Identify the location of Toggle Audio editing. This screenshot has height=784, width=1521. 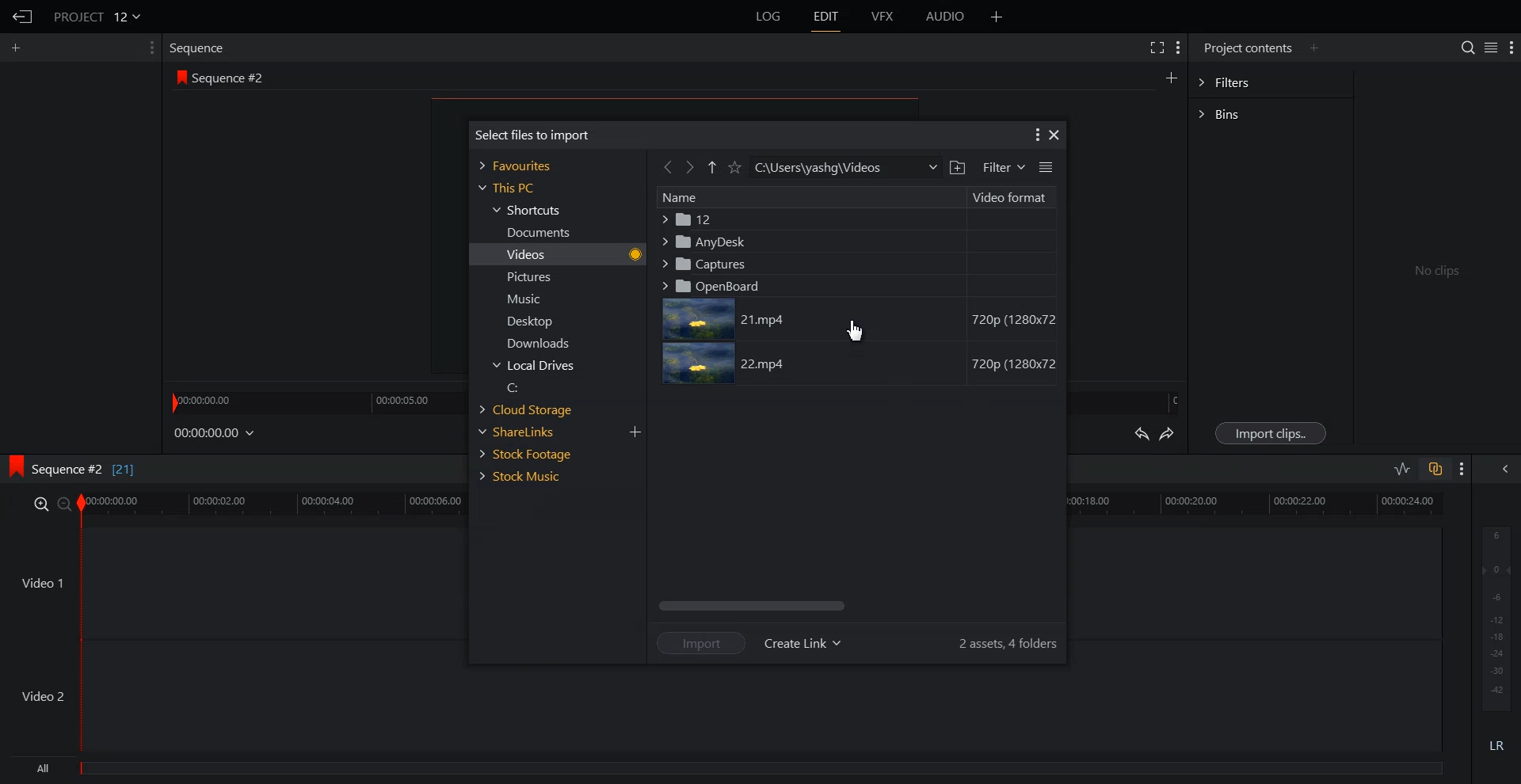
(1403, 468).